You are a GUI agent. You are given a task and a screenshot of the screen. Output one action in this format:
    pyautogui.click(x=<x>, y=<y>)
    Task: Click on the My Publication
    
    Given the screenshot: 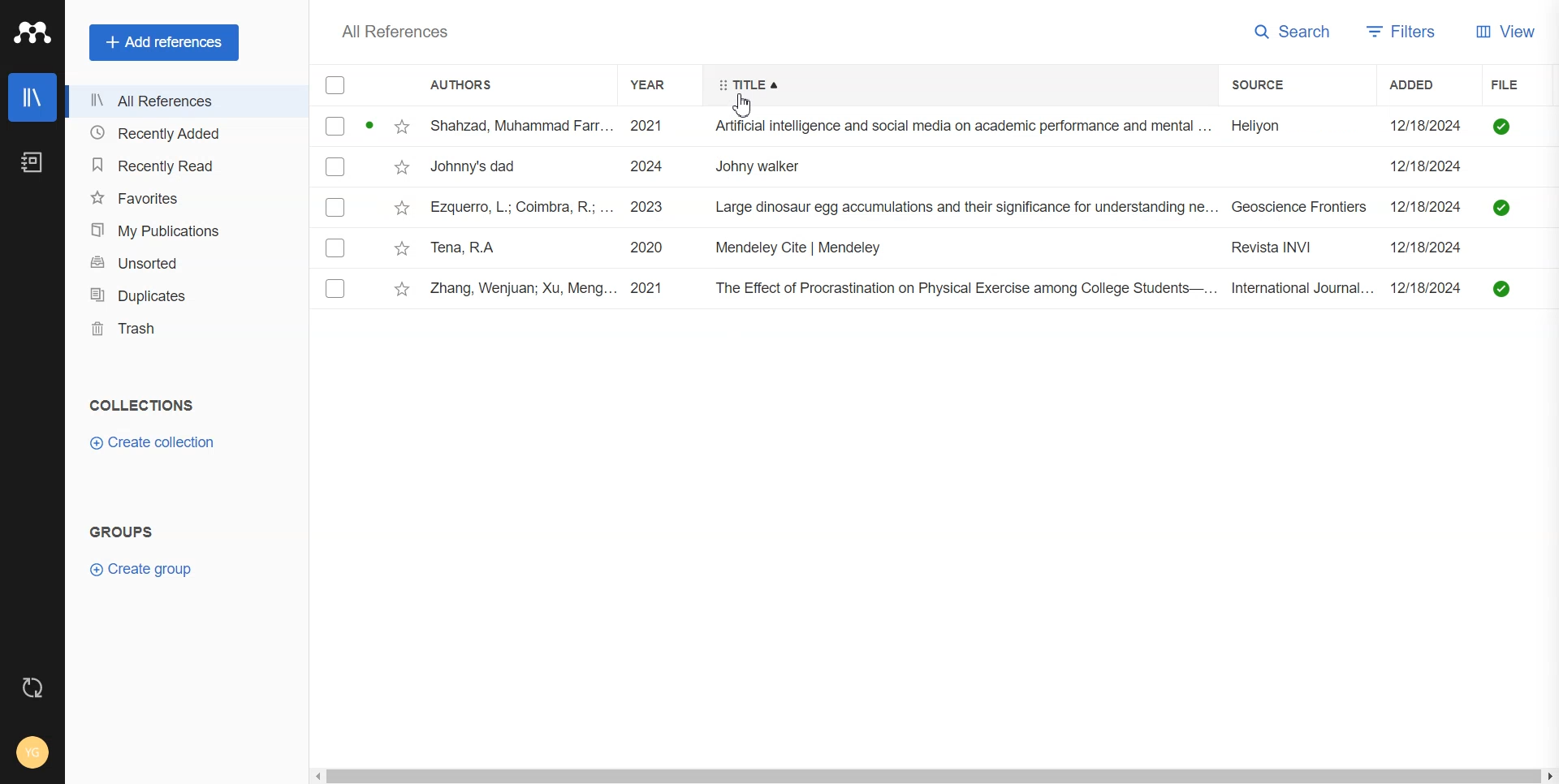 What is the action you would take?
    pyautogui.click(x=187, y=229)
    